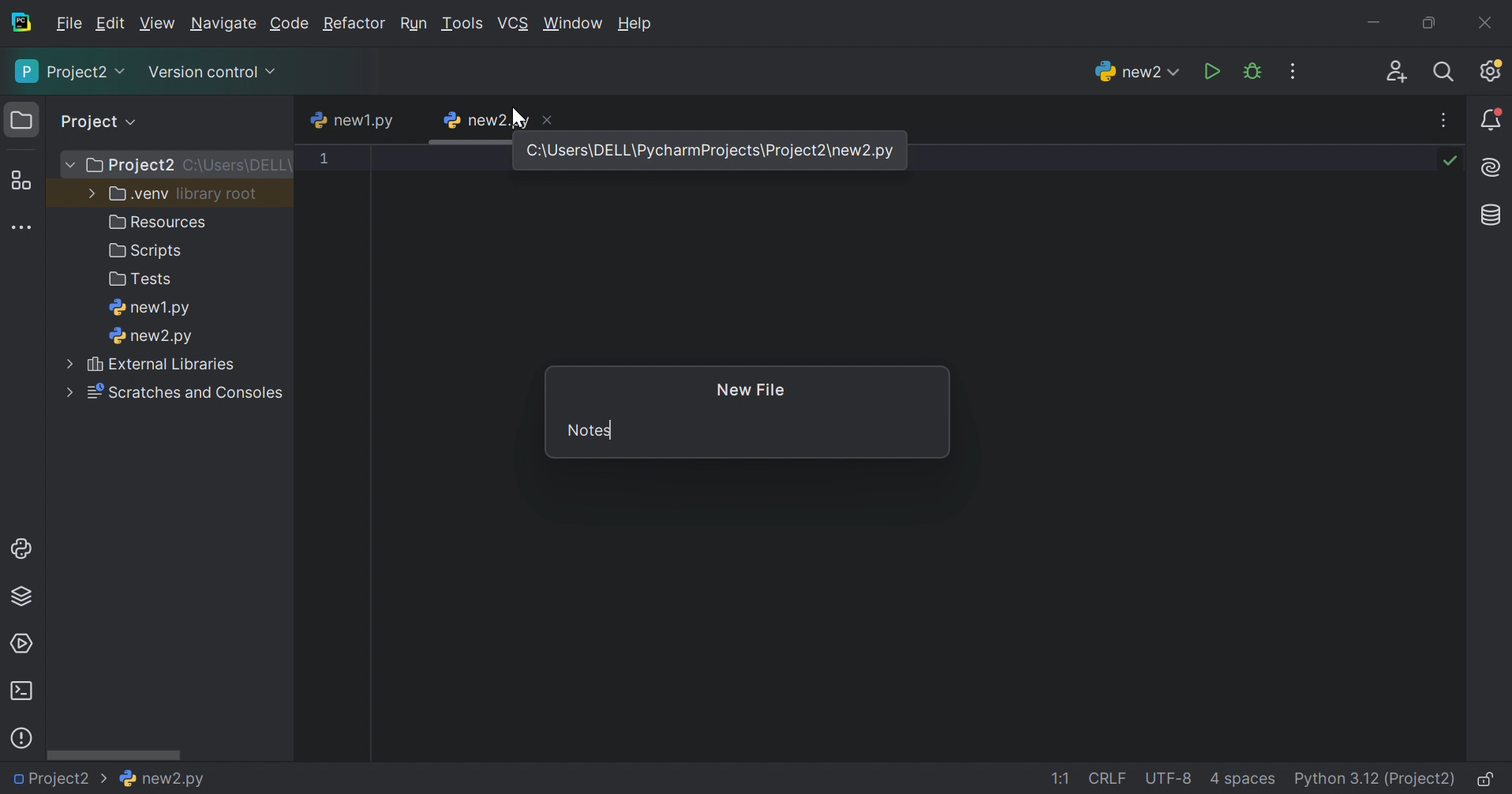  Describe the element at coordinates (354, 25) in the screenshot. I see `Refactor` at that location.